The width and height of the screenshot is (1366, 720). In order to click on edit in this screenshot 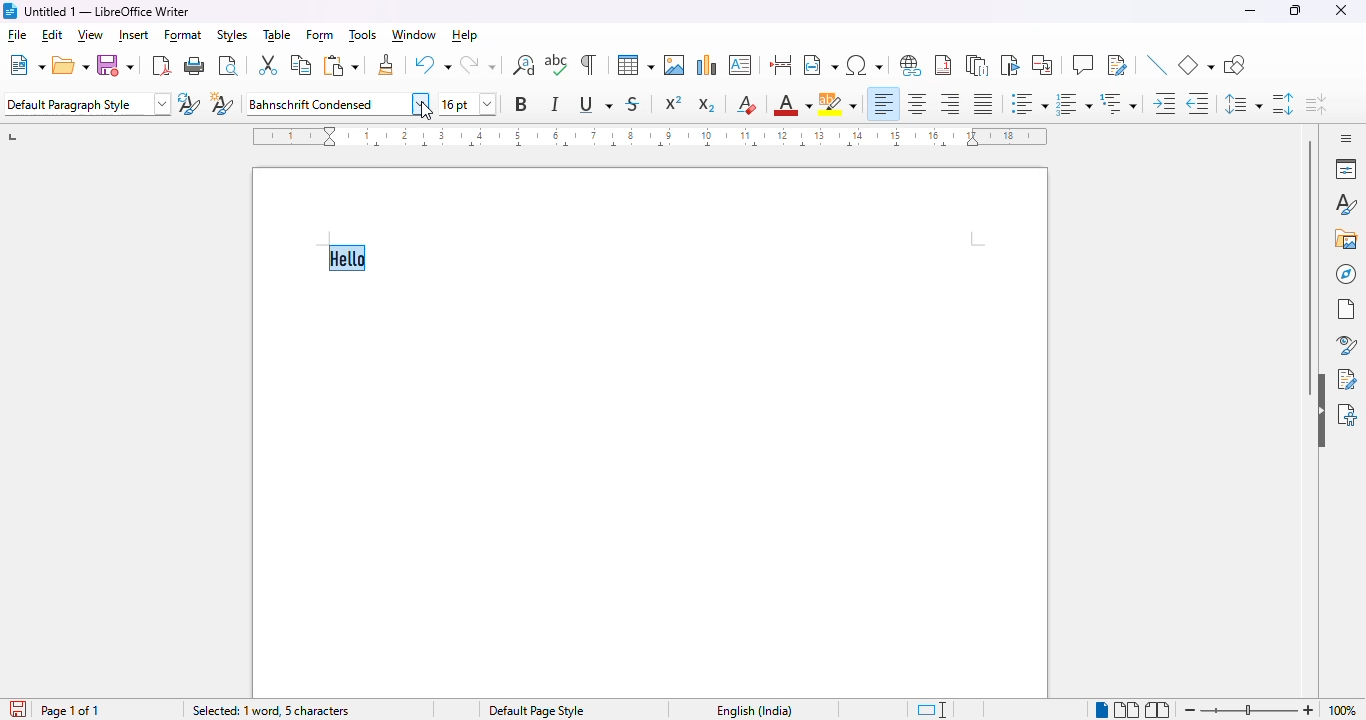, I will do `click(53, 35)`.